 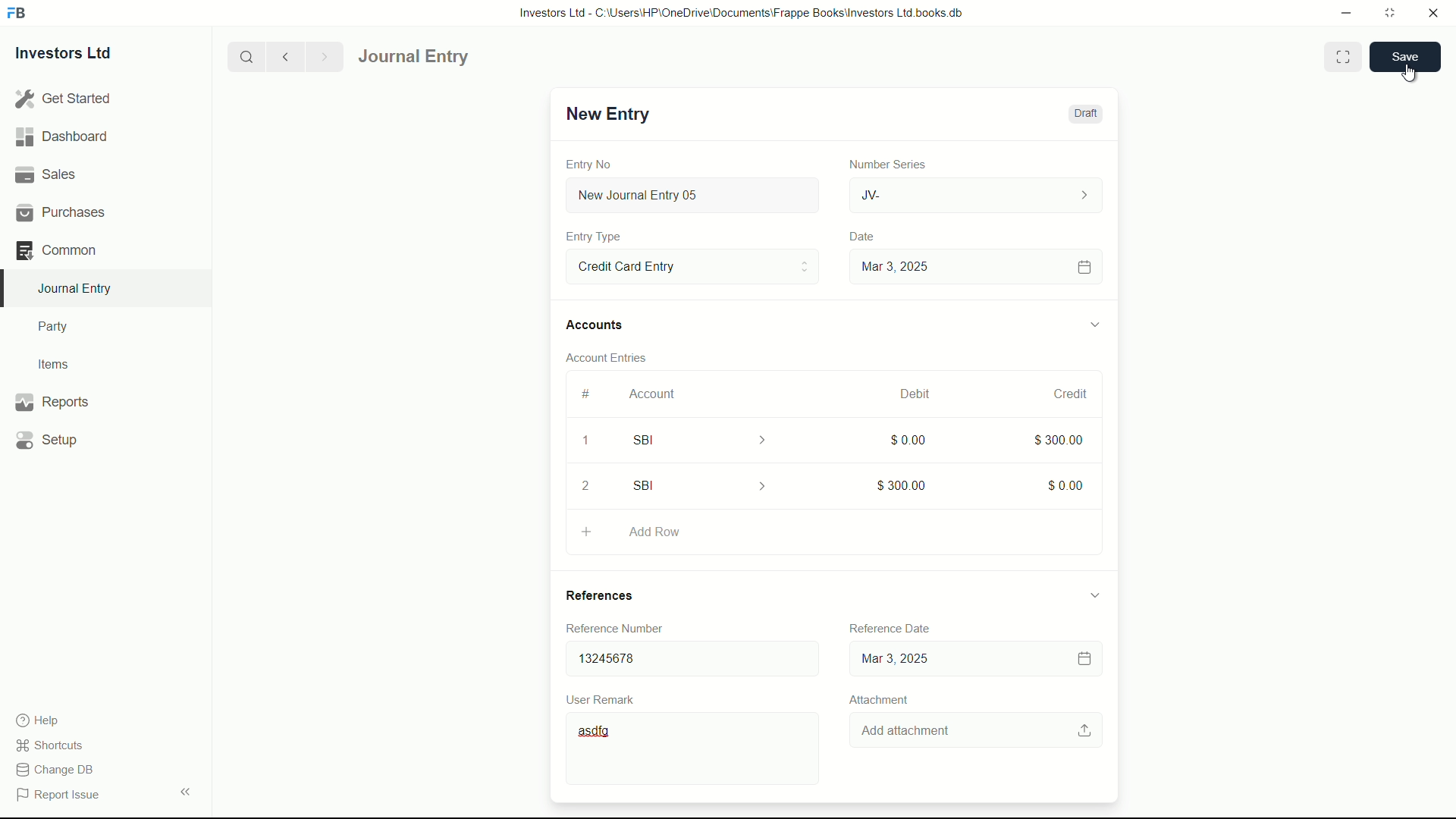 What do you see at coordinates (900, 394) in the screenshot?
I see `March, 2025` at bounding box center [900, 394].